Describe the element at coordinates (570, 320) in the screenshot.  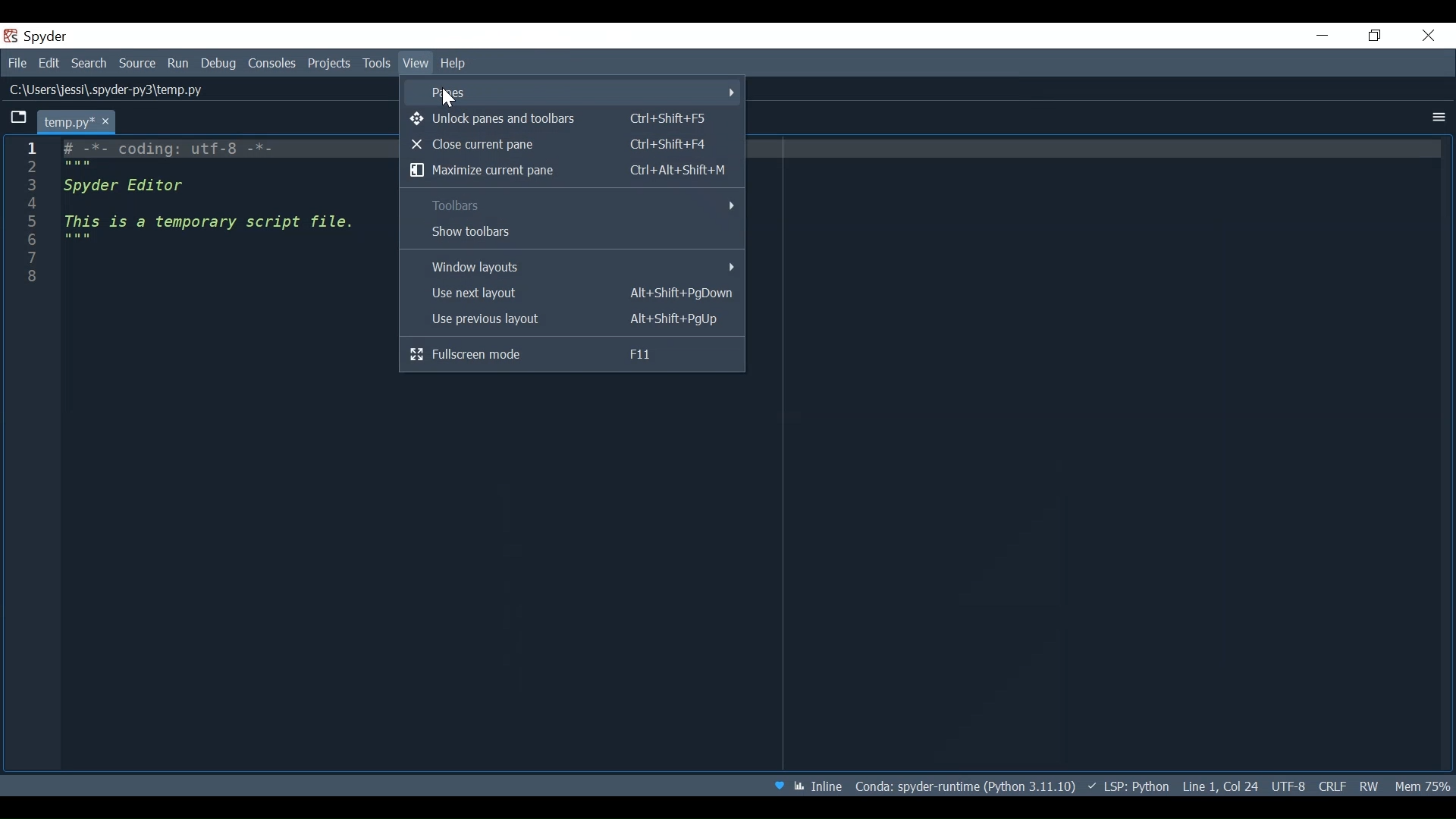
I see `Use previous layout` at that location.